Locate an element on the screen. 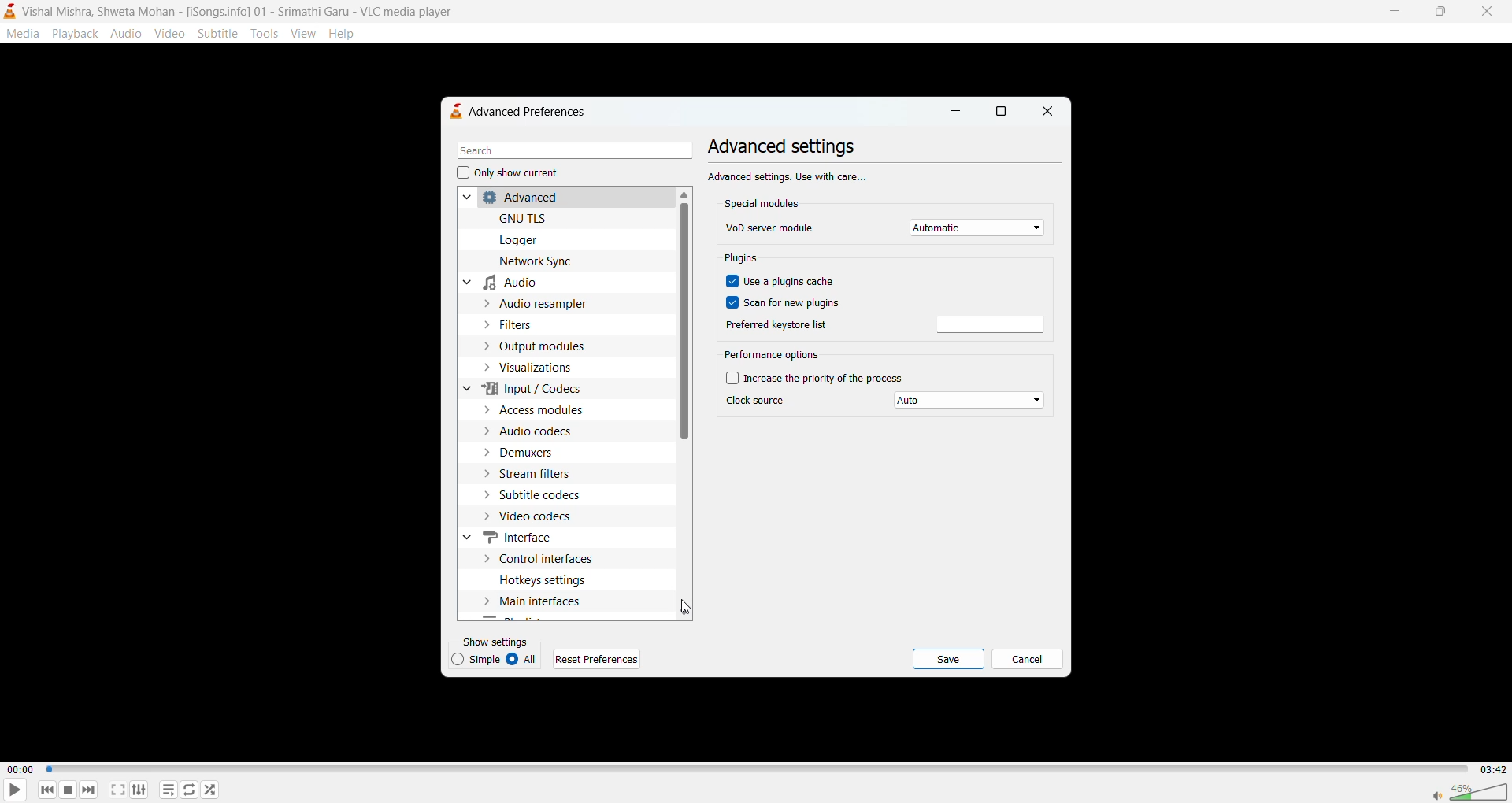 The image size is (1512, 803). advanced settings is located at coordinates (782, 148).